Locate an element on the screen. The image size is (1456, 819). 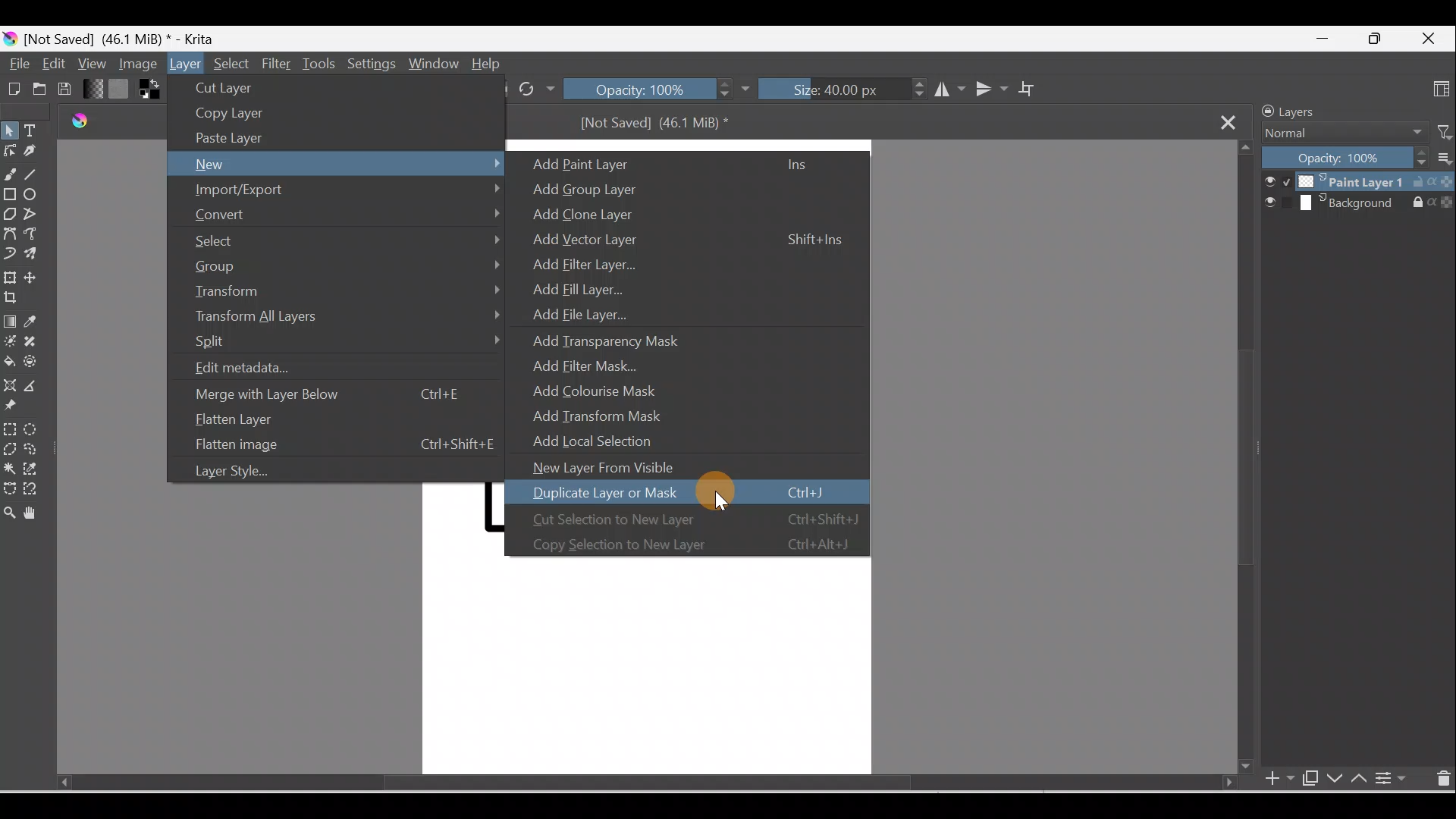
Add vector layer  Shift+Ins is located at coordinates (680, 242).